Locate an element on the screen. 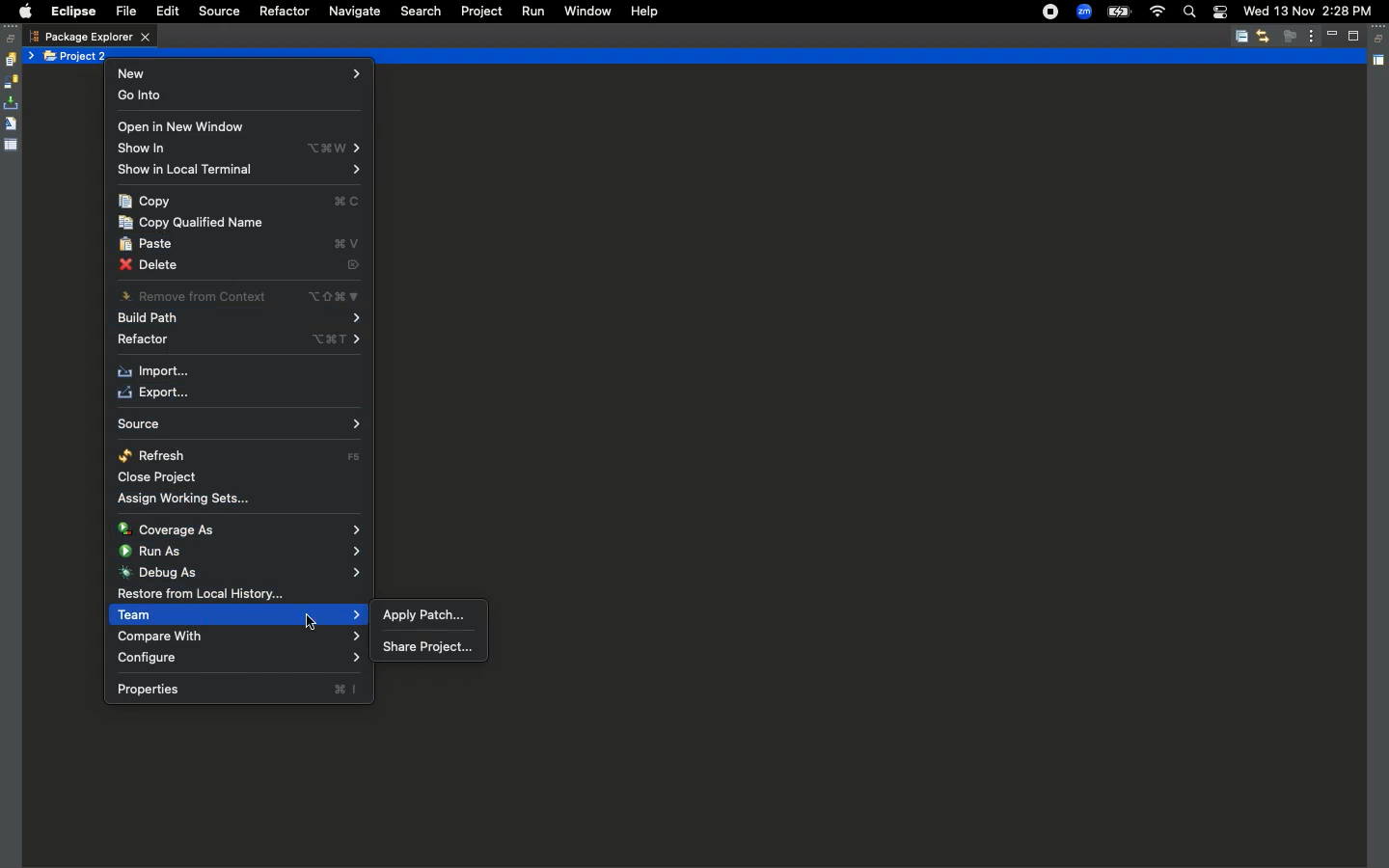 This screenshot has width=1389, height=868. Recording is located at coordinates (1051, 12).